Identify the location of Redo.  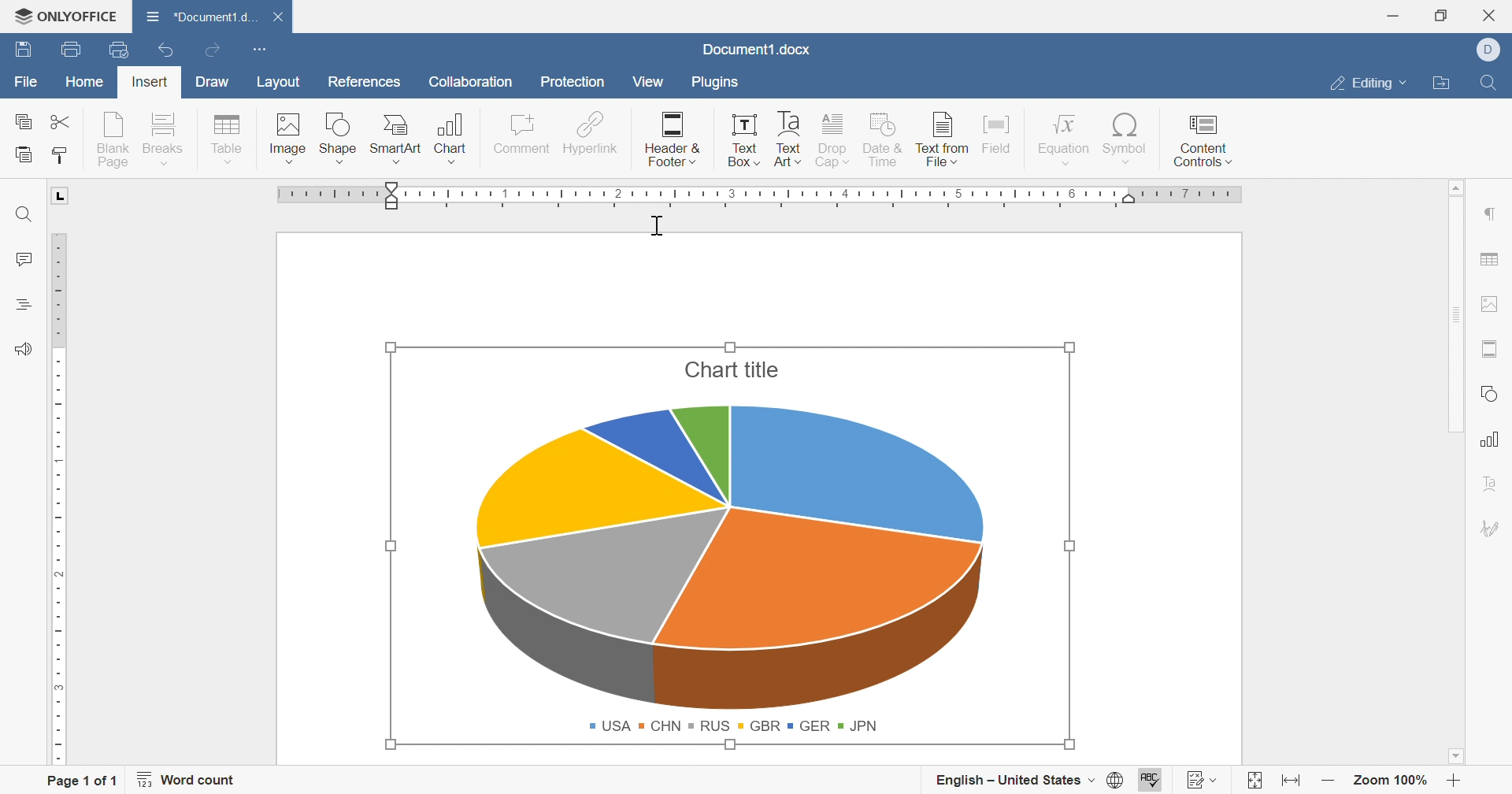
(213, 52).